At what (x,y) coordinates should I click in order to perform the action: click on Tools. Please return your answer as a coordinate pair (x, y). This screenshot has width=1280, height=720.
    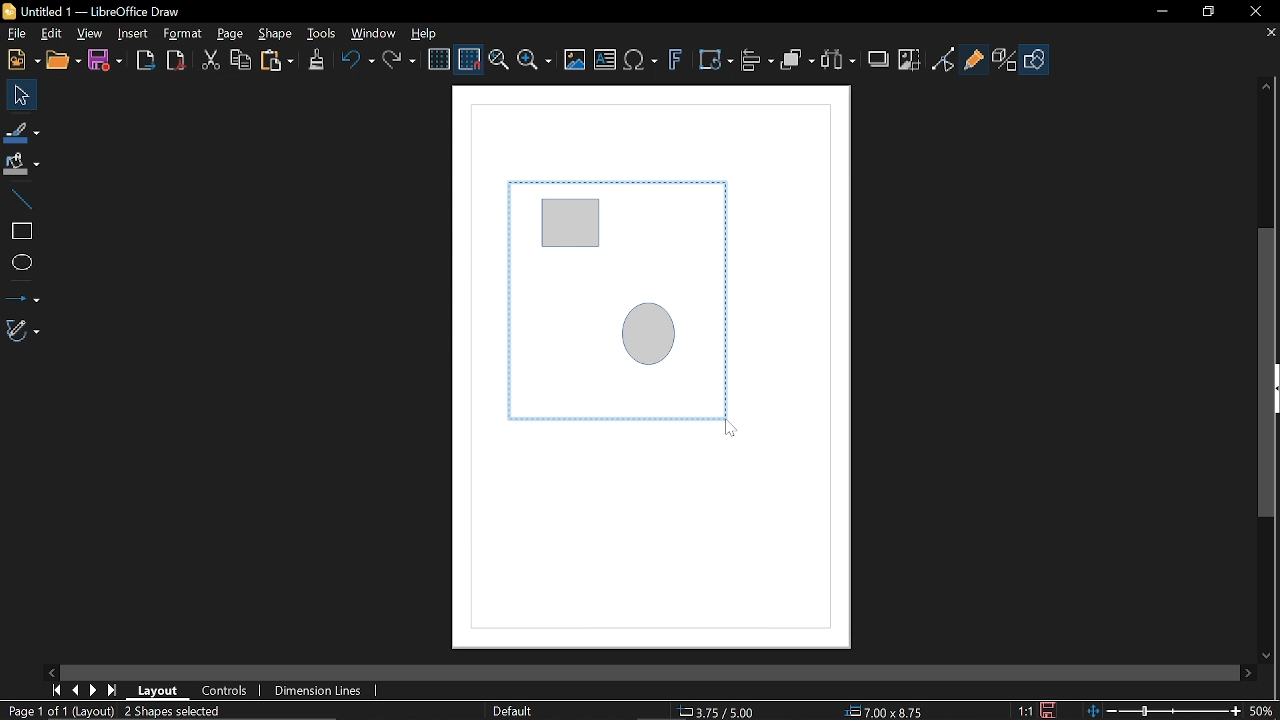
    Looking at the image, I should click on (322, 34).